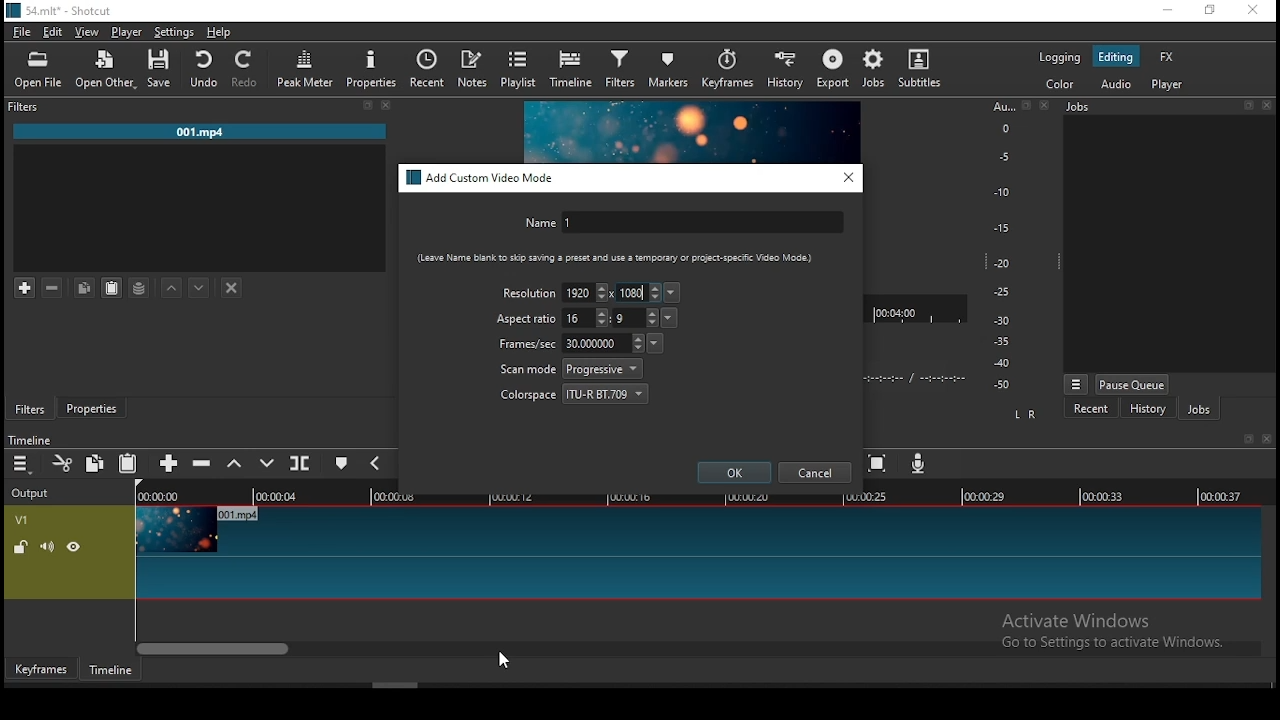 This screenshot has height=720, width=1280. I want to click on frames/sec, so click(569, 343).